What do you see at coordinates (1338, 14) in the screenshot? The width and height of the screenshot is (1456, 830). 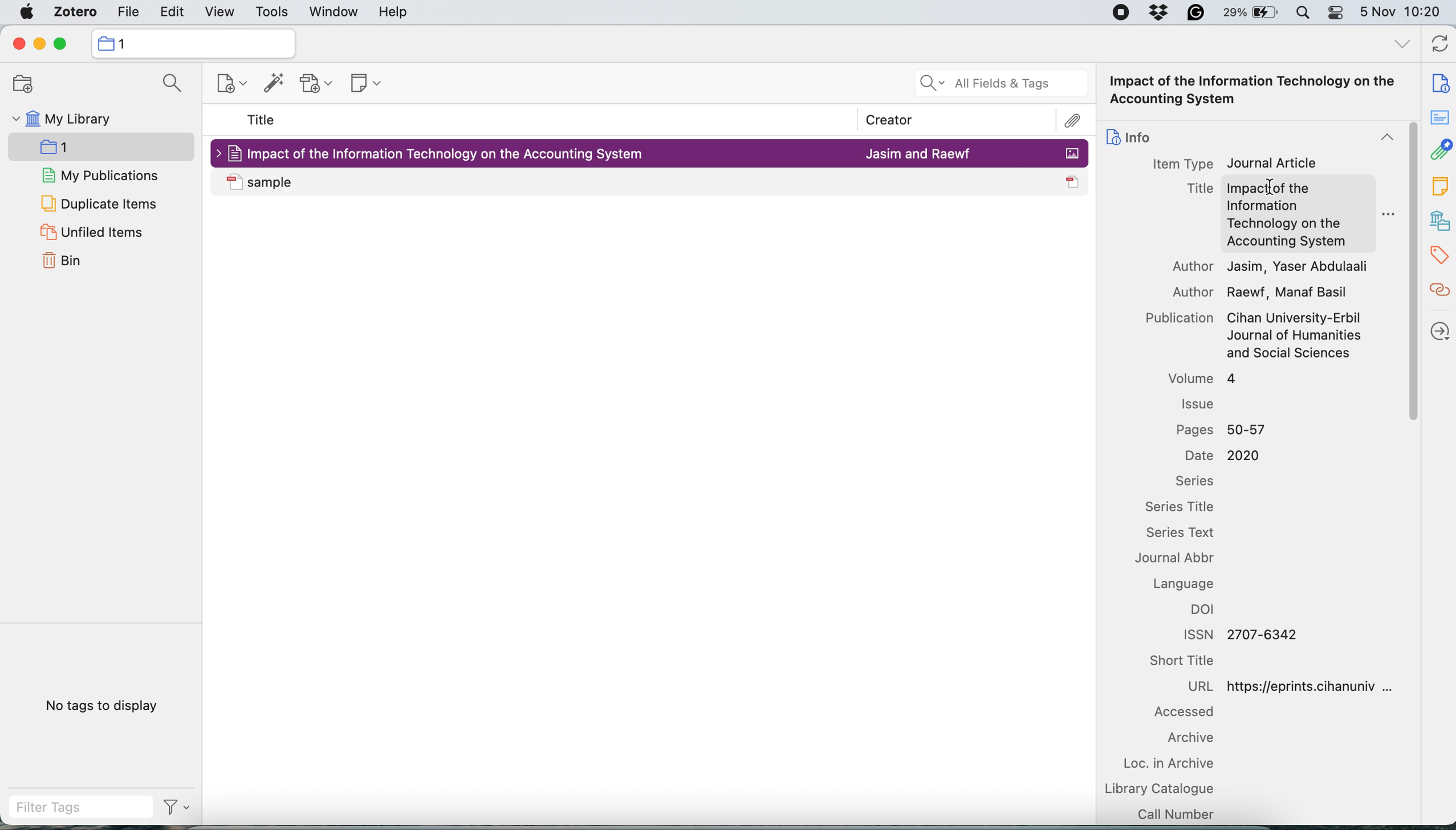 I see `control center` at bounding box center [1338, 14].